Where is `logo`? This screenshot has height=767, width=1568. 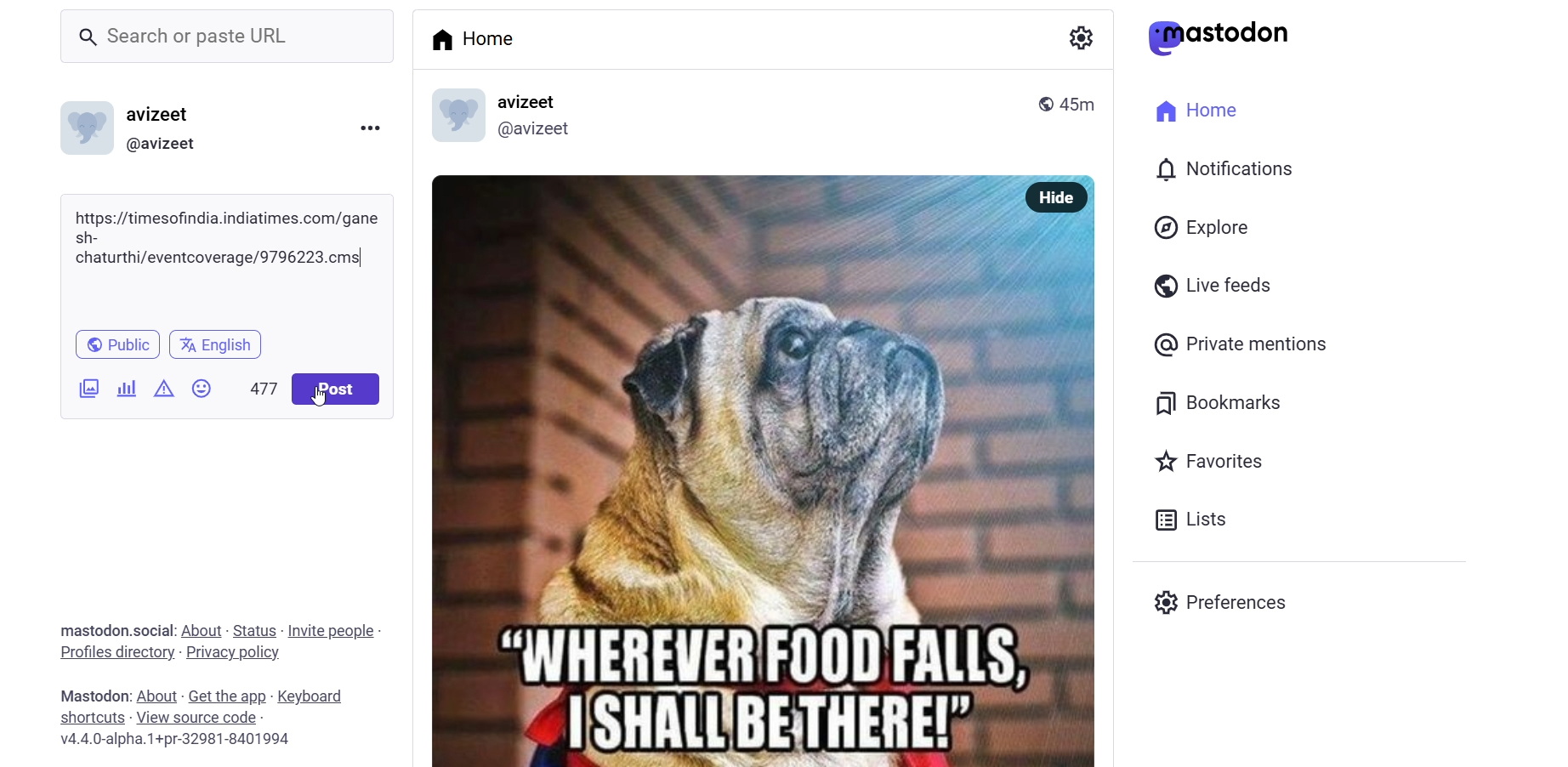 logo is located at coordinates (454, 118).